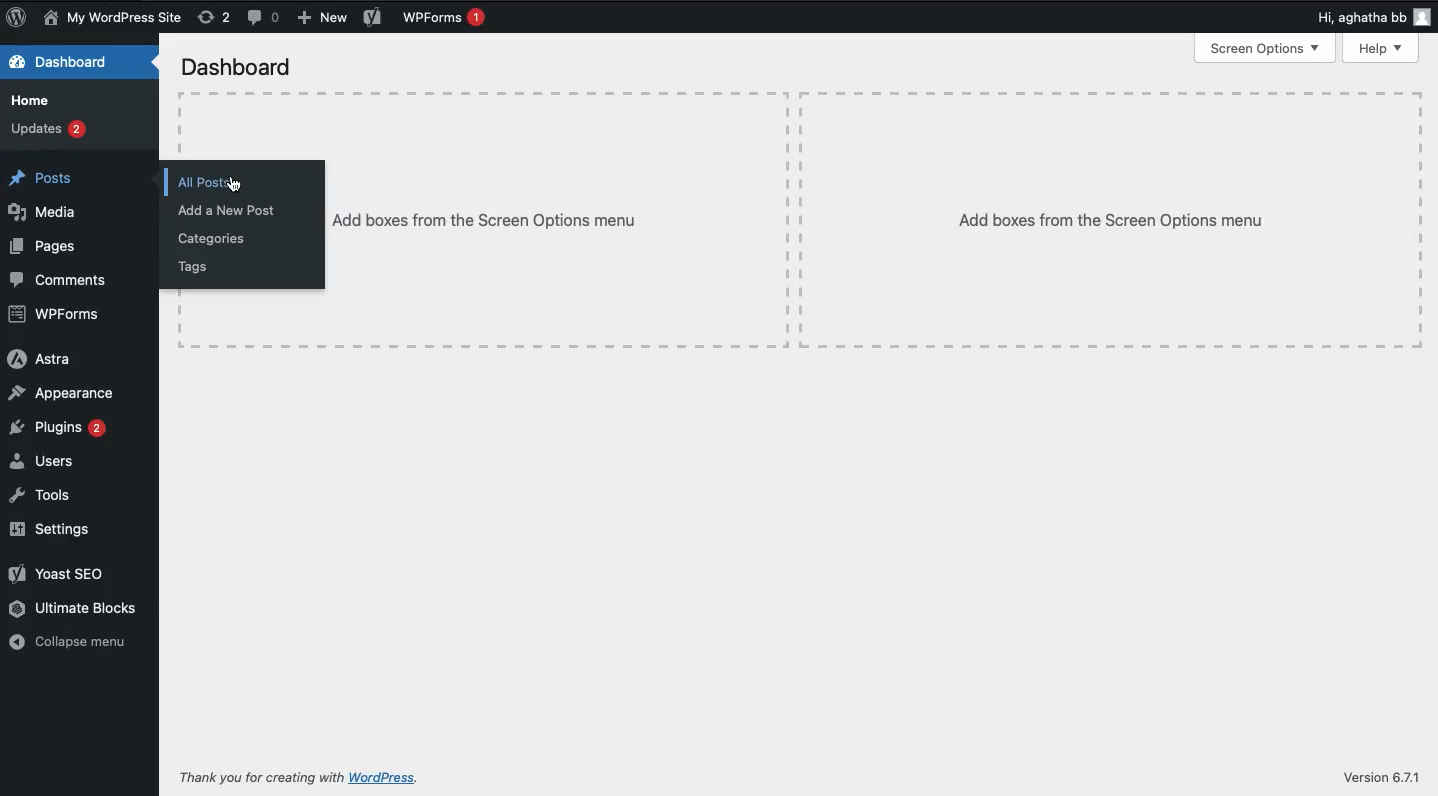 This screenshot has width=1438, height=796. I want to click on Comments, so click(58, 280).